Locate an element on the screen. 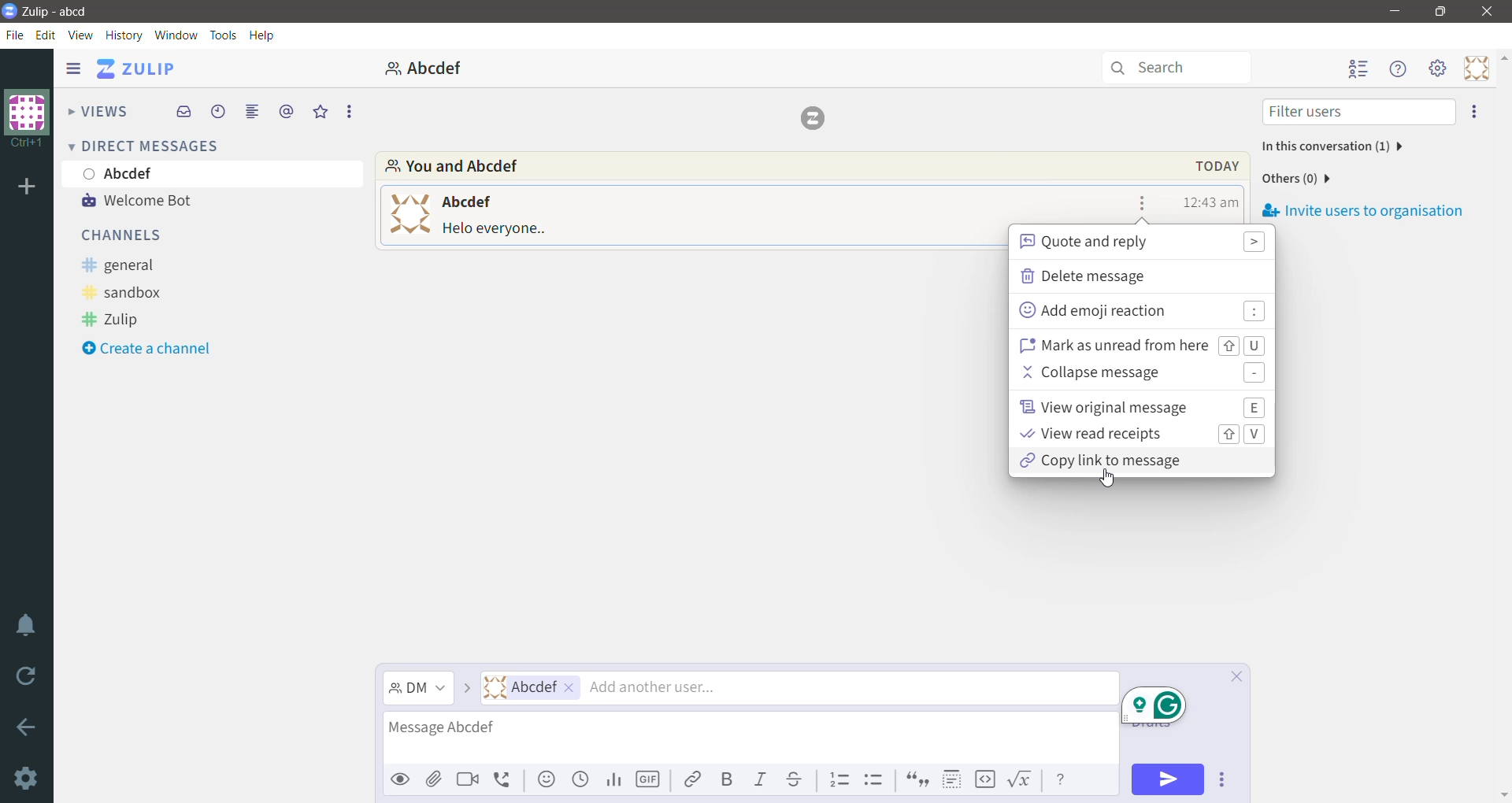 This screenshot has width=1512, height=803. message is located at coordinates (496, 230).